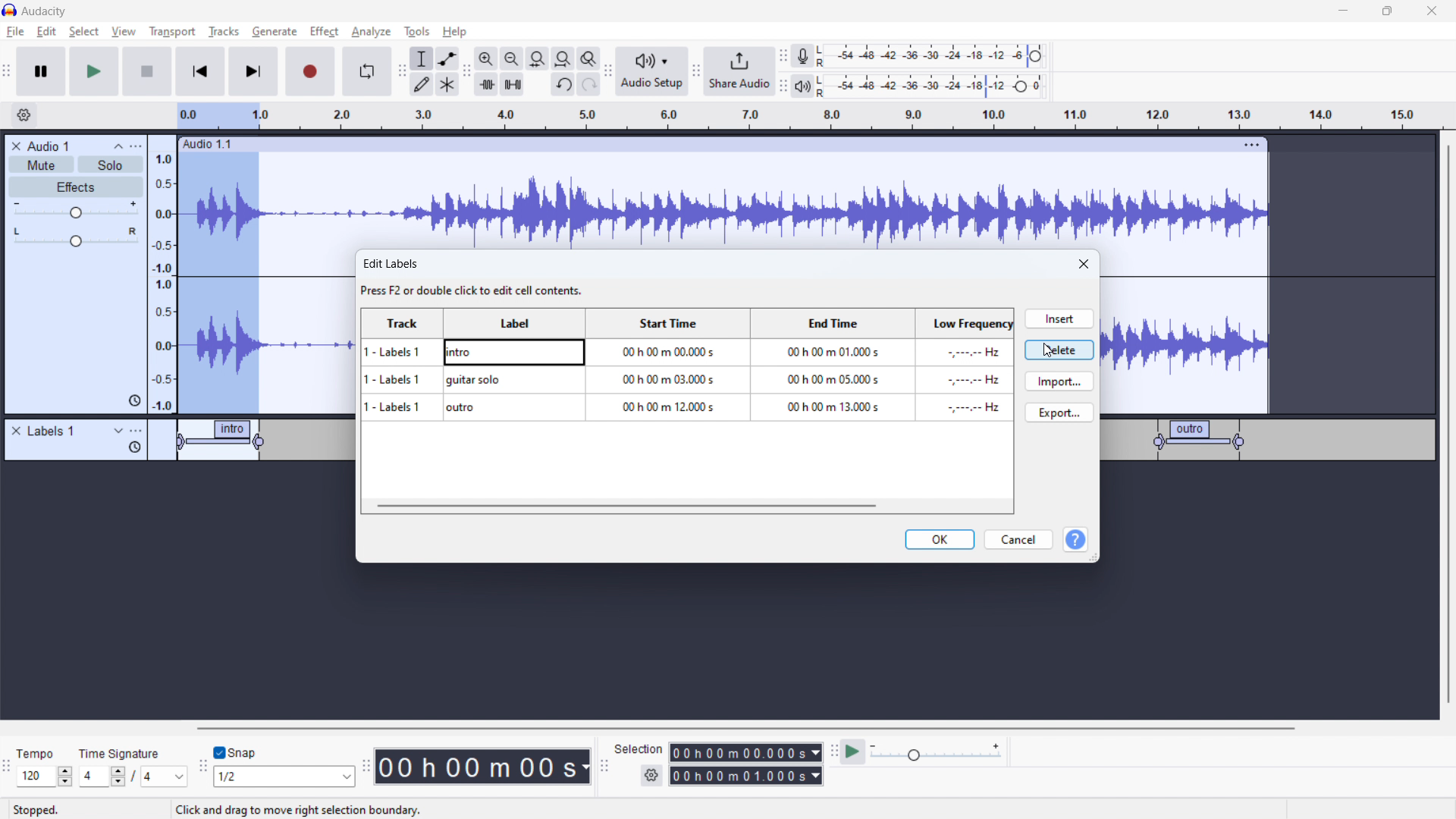 Image resolution: width=1456 pixels, height=819 pixels. I want to click on label 1, so click(224, 442).